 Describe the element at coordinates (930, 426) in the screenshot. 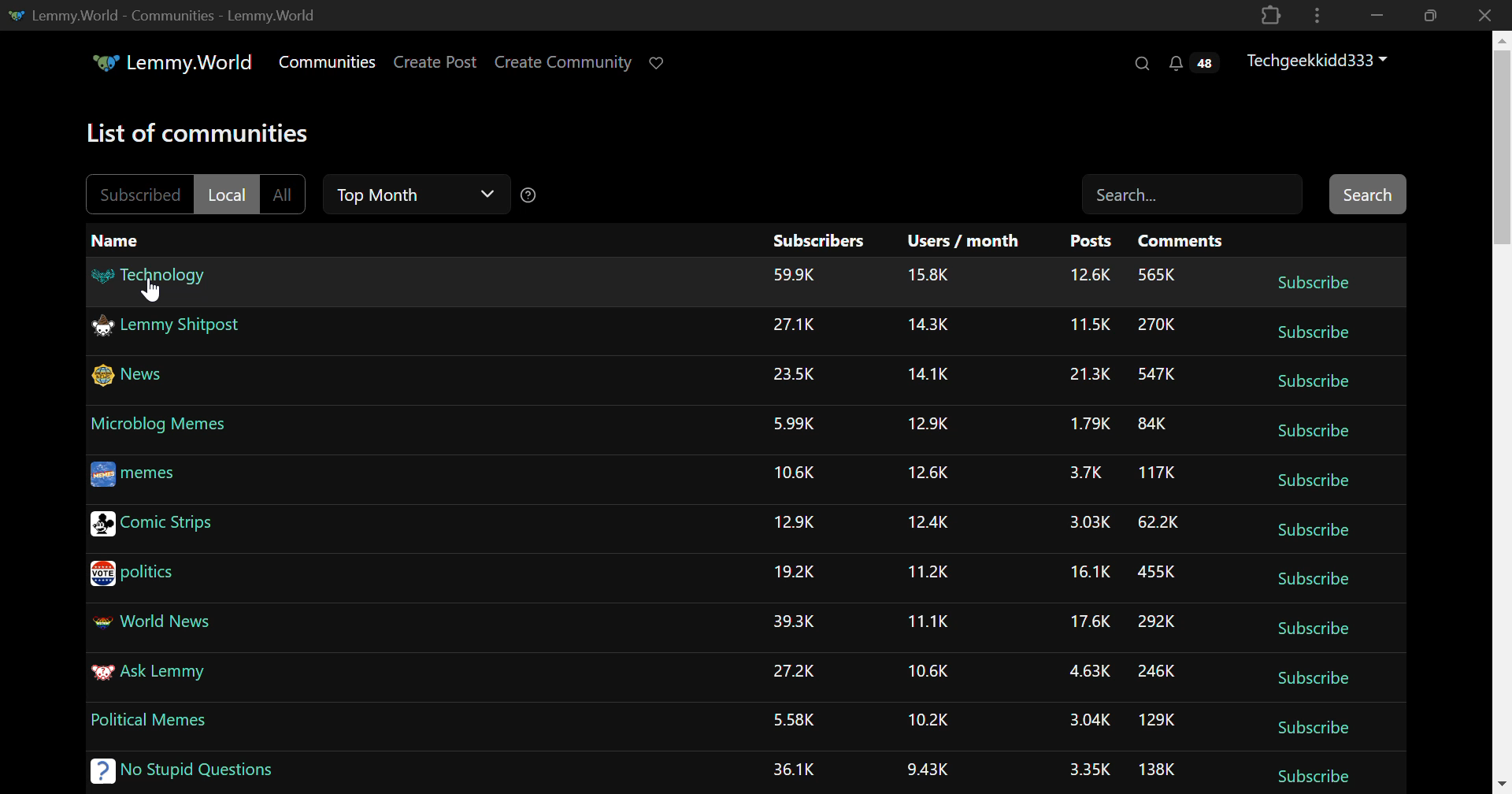

I see `12.9K` at that location.